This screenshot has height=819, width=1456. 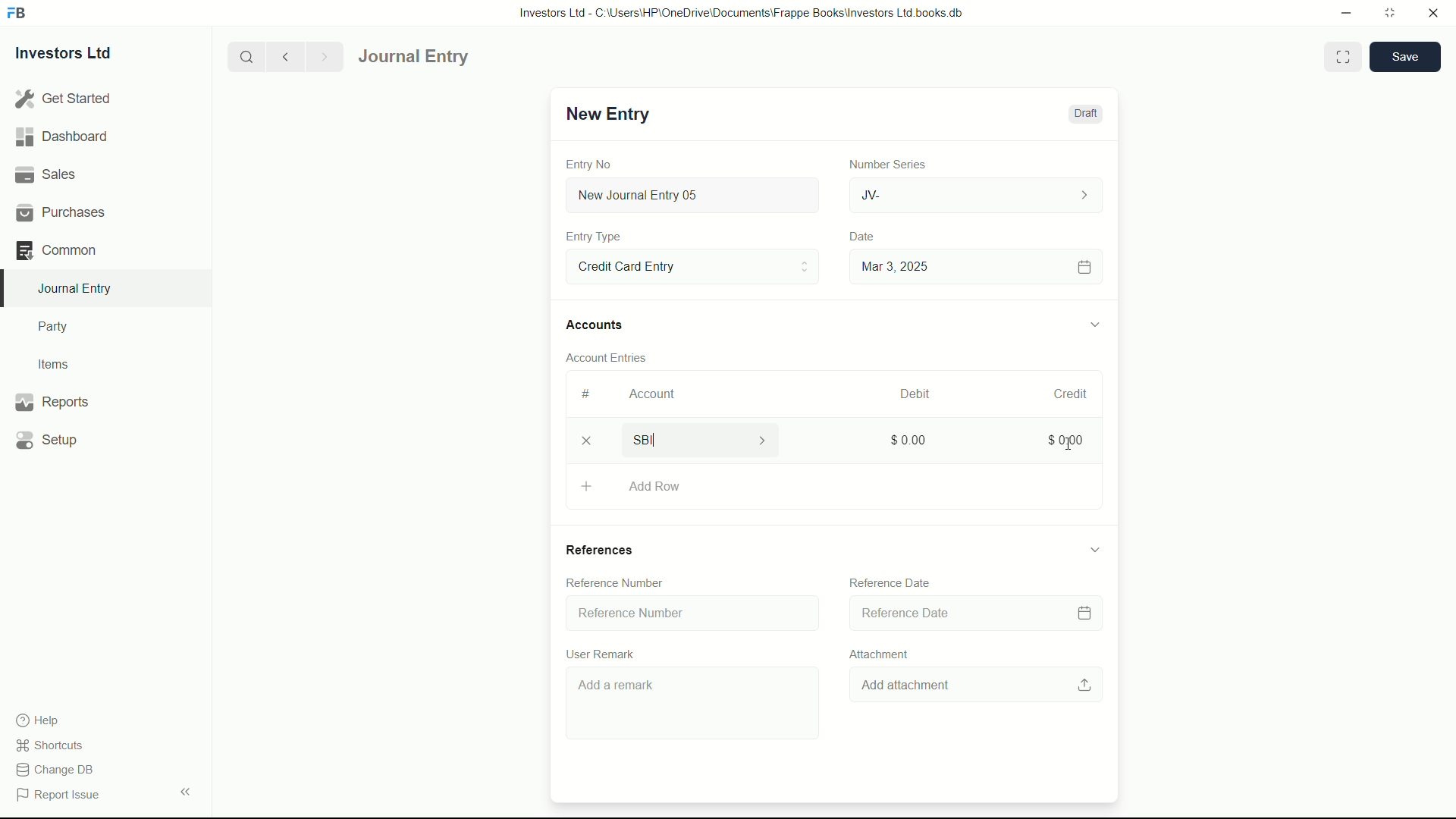 What do you see at coordinates (1389, 11) in the screenshot?
I see `maximize` at bounding box center [1389, 11].